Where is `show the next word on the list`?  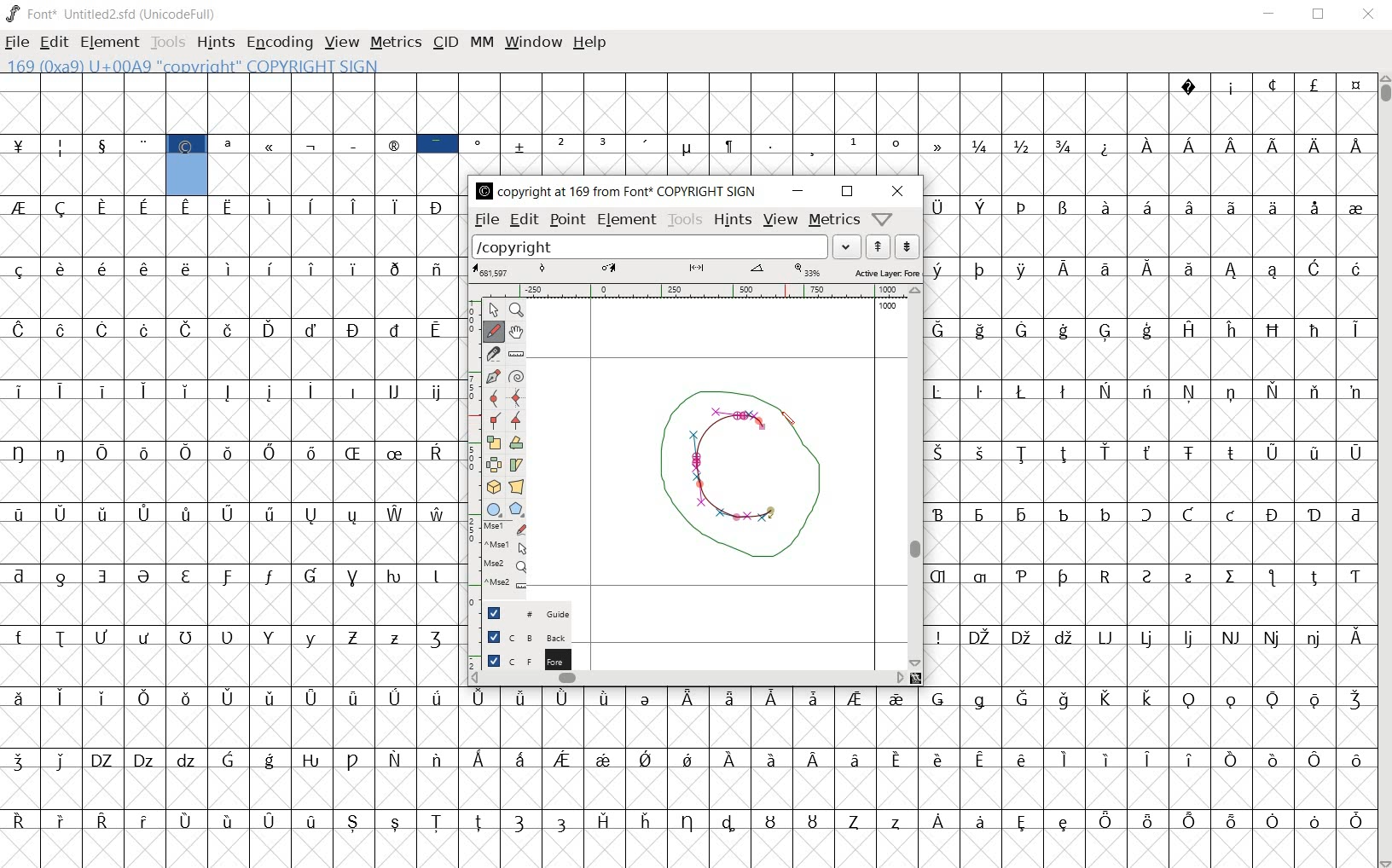
show the next word on the list is located at coordinates (877, 246).